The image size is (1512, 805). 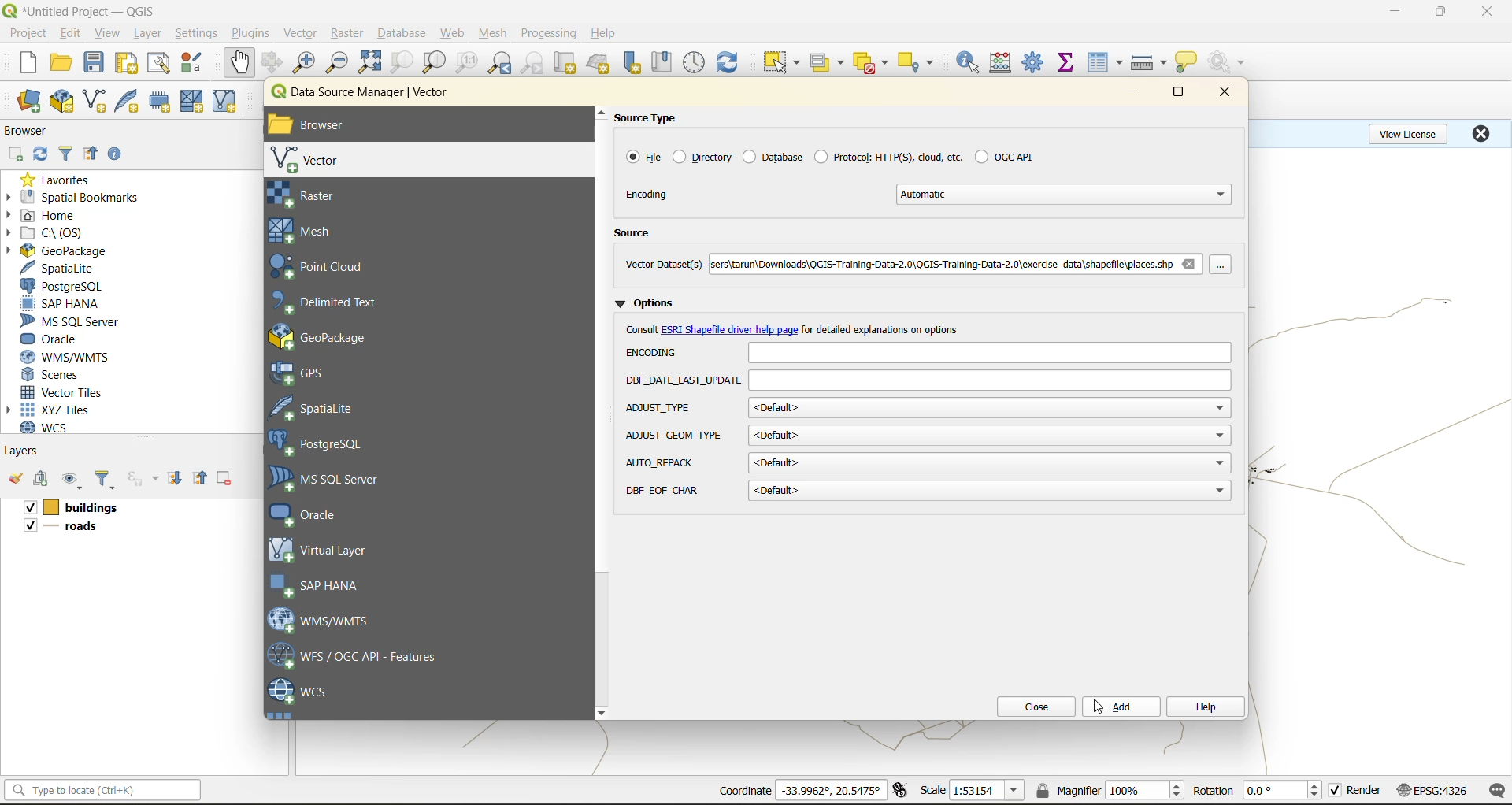 I want to click on home, so click(x=47, y=217).